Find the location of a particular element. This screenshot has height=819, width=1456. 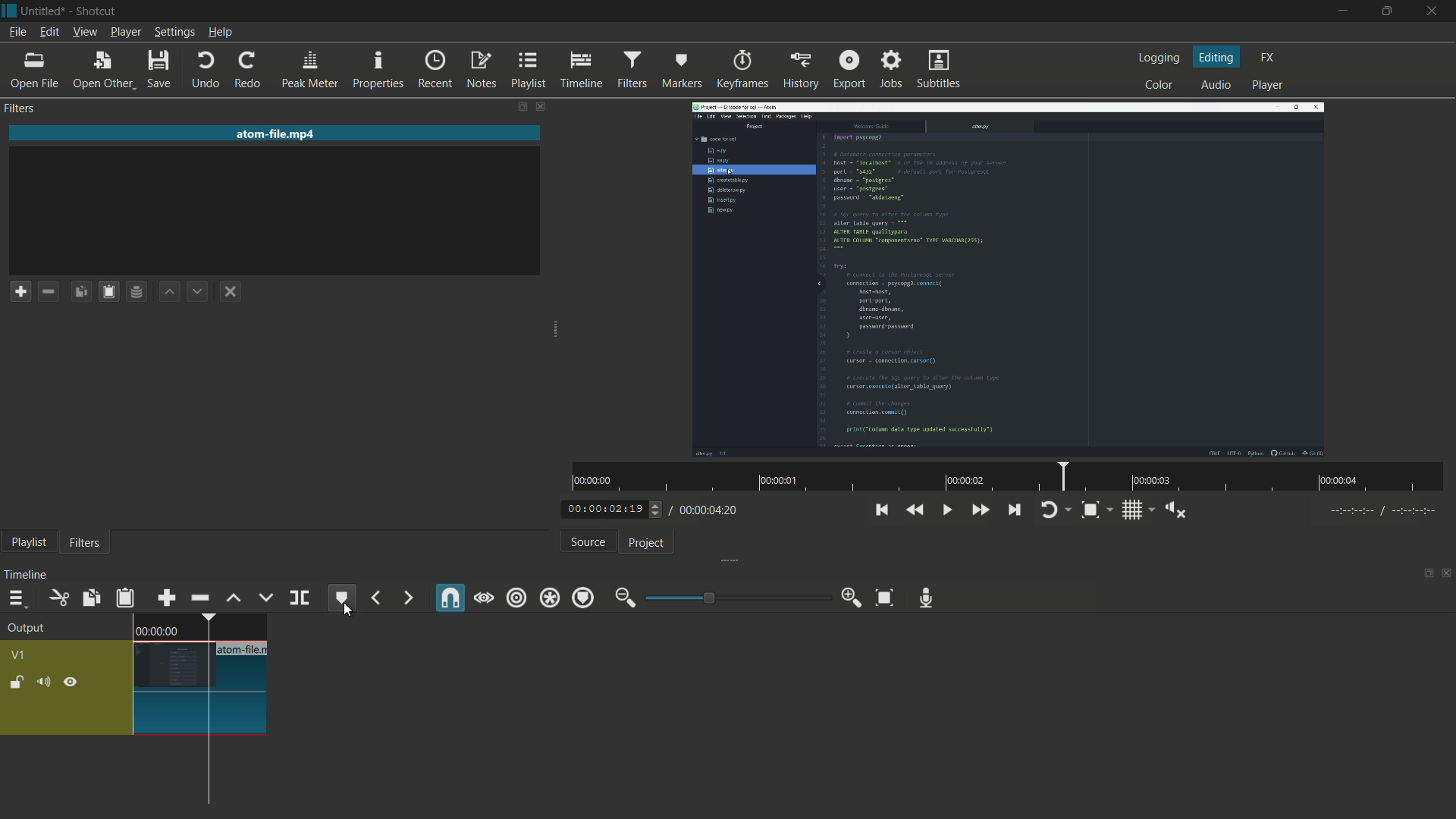

logging is located at coordinates (1161, 58).